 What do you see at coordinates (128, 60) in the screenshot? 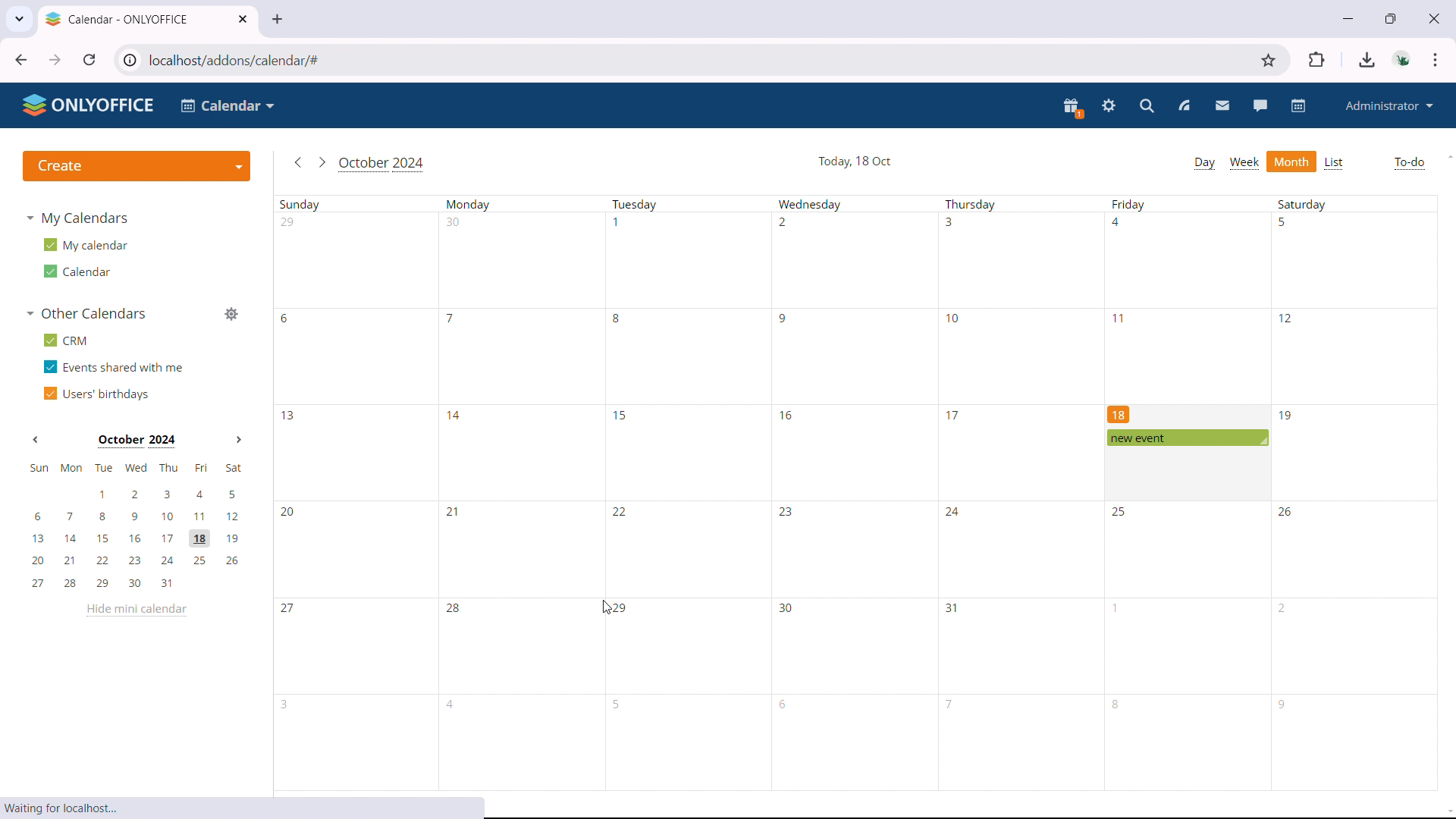
I see `view site information` at bounding box center [128, 60].